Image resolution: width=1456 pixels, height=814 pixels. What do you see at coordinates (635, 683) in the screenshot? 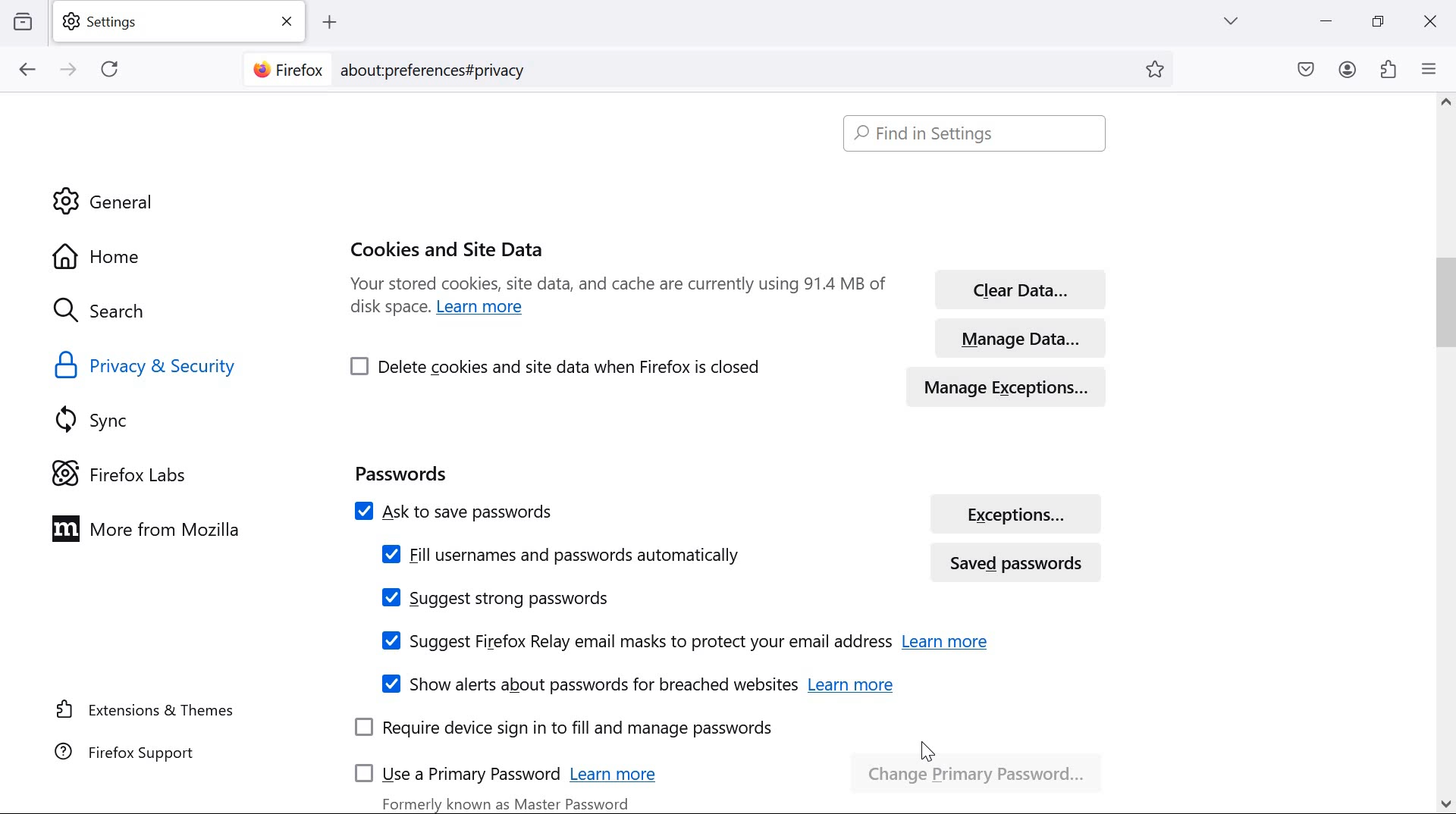
I see `Show alerts about passwords for breached websites Learn more` at bounding box center [635, 683].